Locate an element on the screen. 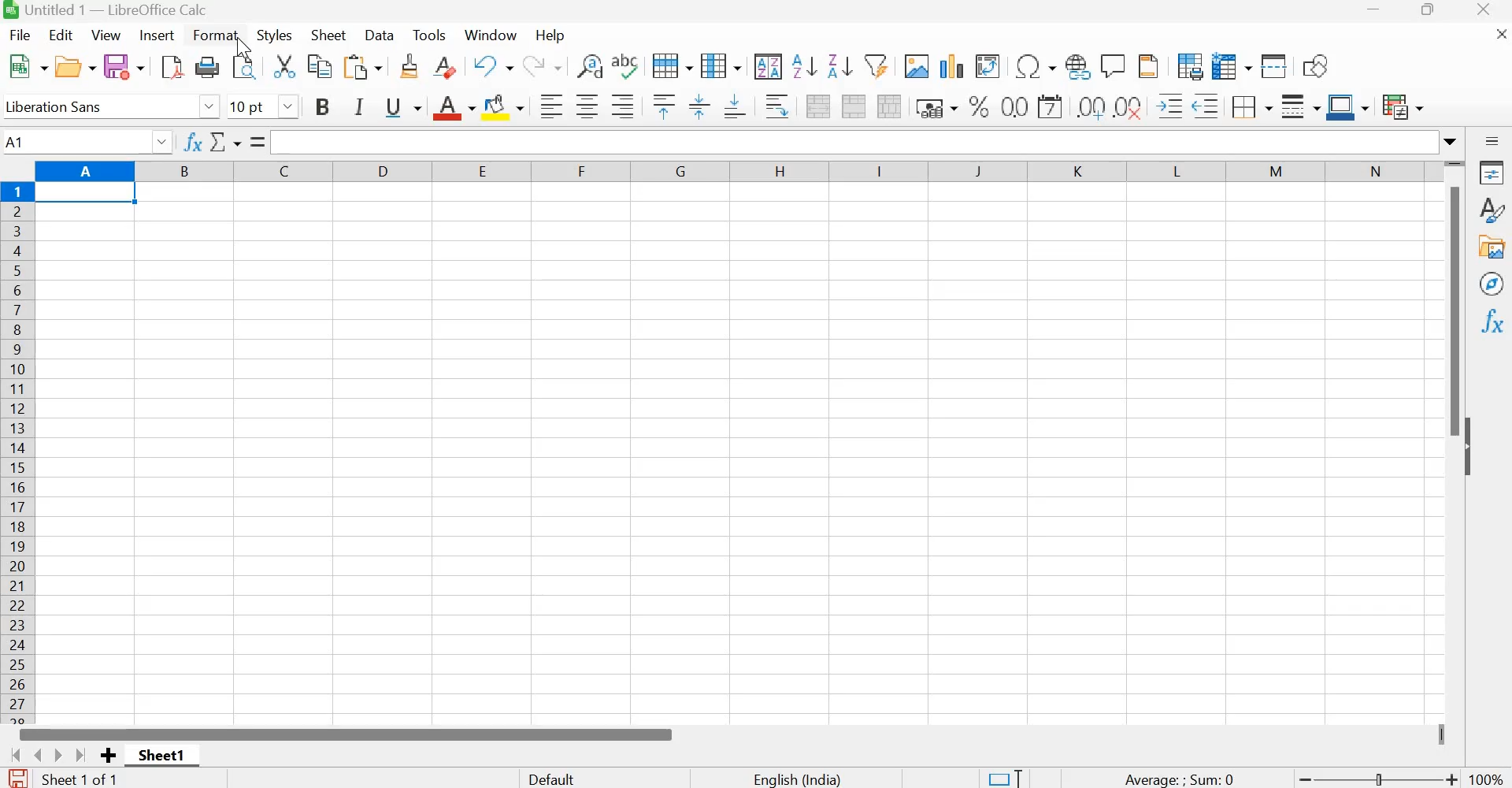 The height and width of the screenshot is (788, 1512). Decrease Indent is located at coordinates (1206, 105).